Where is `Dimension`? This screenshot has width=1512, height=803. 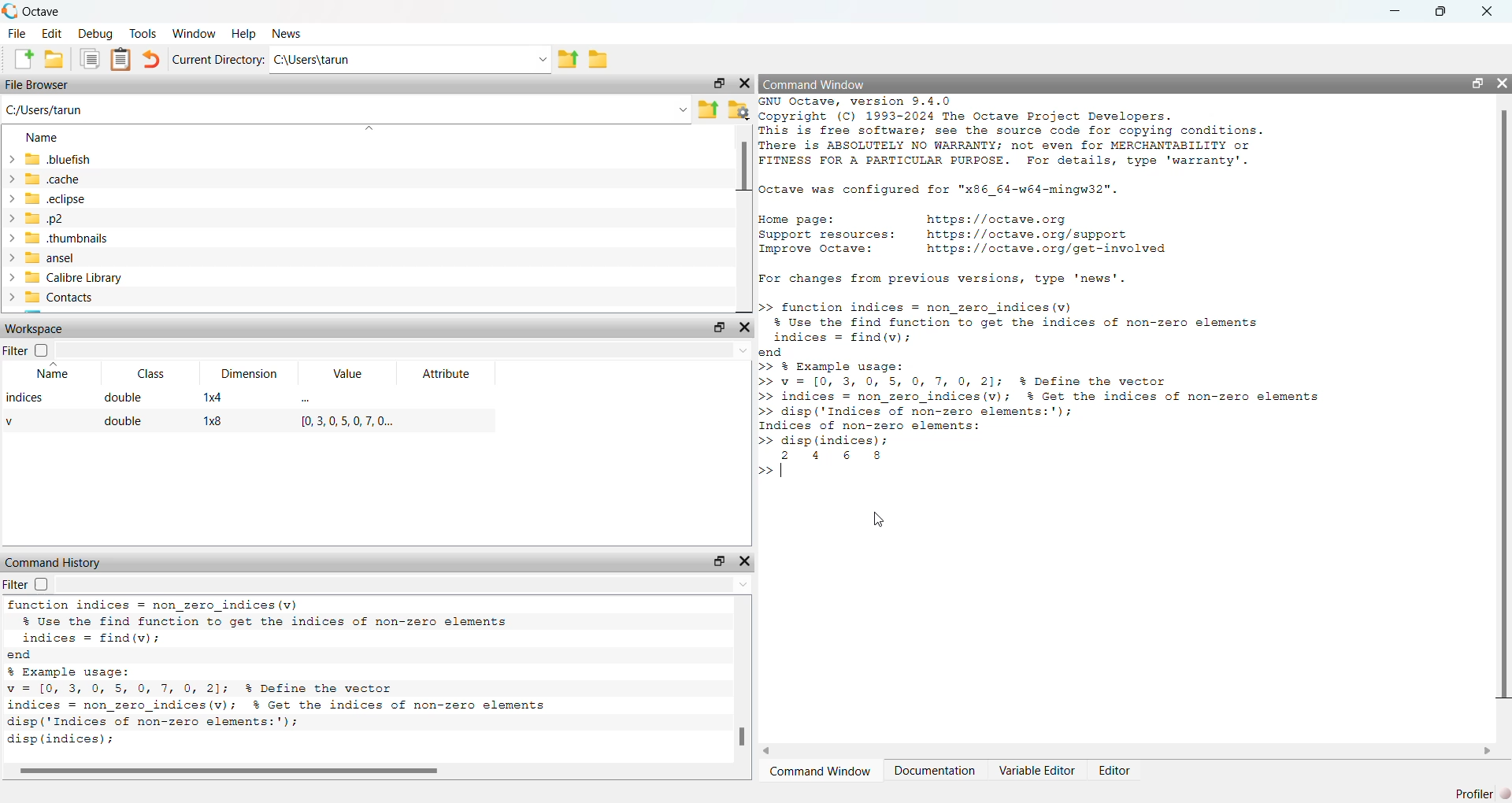 Dimension is located at coordinates (248, 371).